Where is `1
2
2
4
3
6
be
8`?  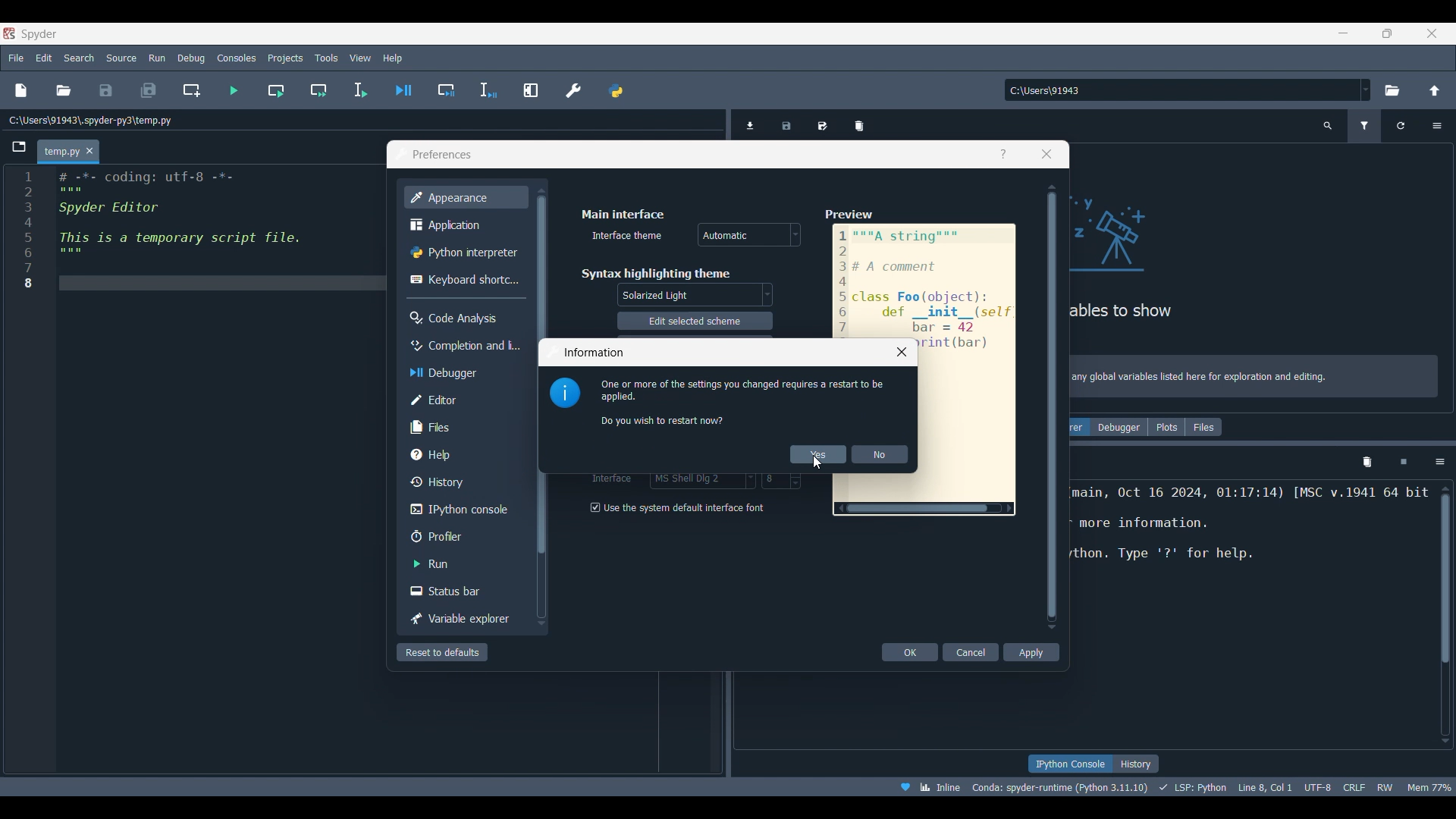 1
2
2
4
3
6
be
8 is located at coordinates (29, 232).